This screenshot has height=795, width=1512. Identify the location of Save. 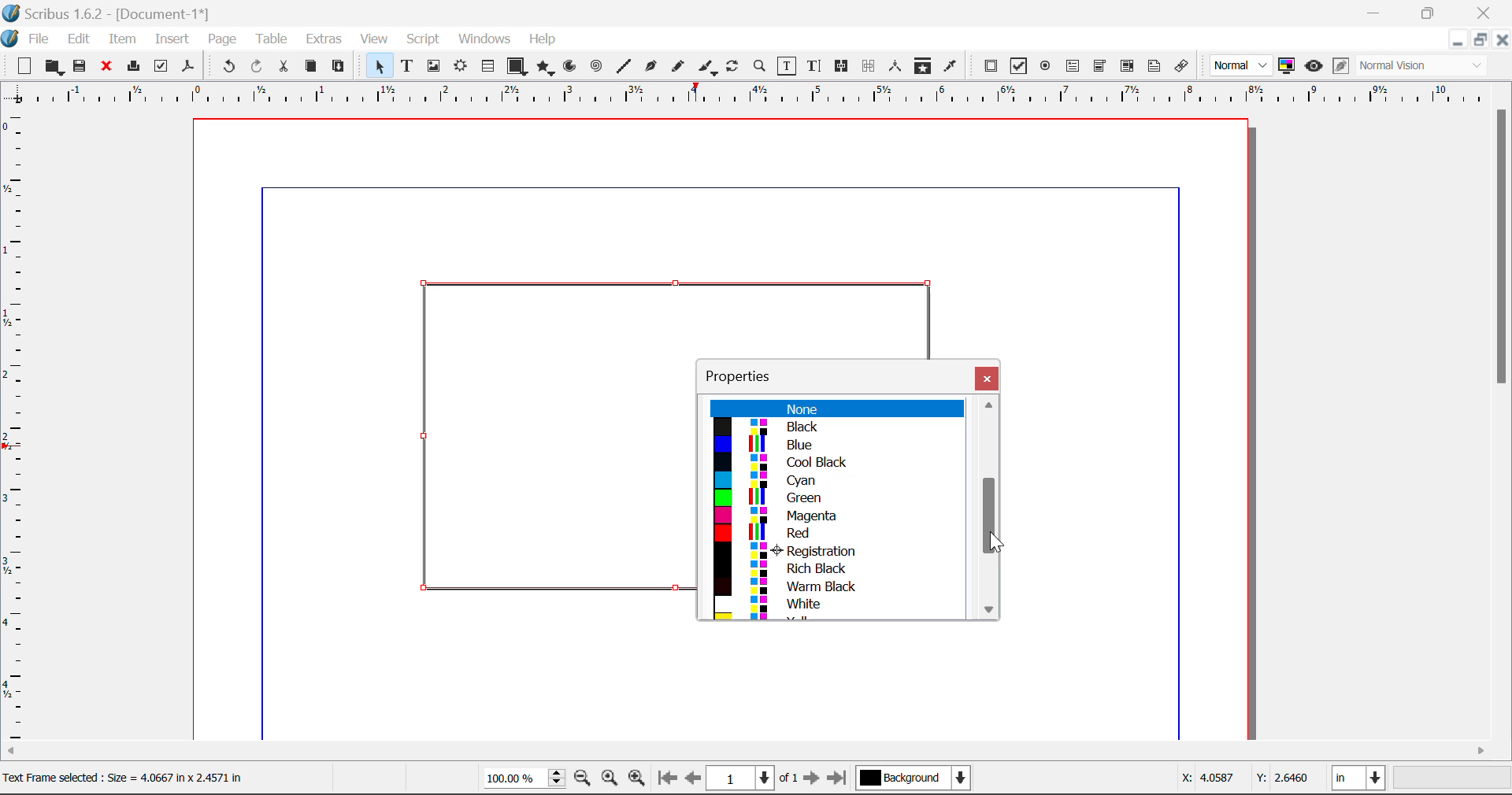
(81, 66).